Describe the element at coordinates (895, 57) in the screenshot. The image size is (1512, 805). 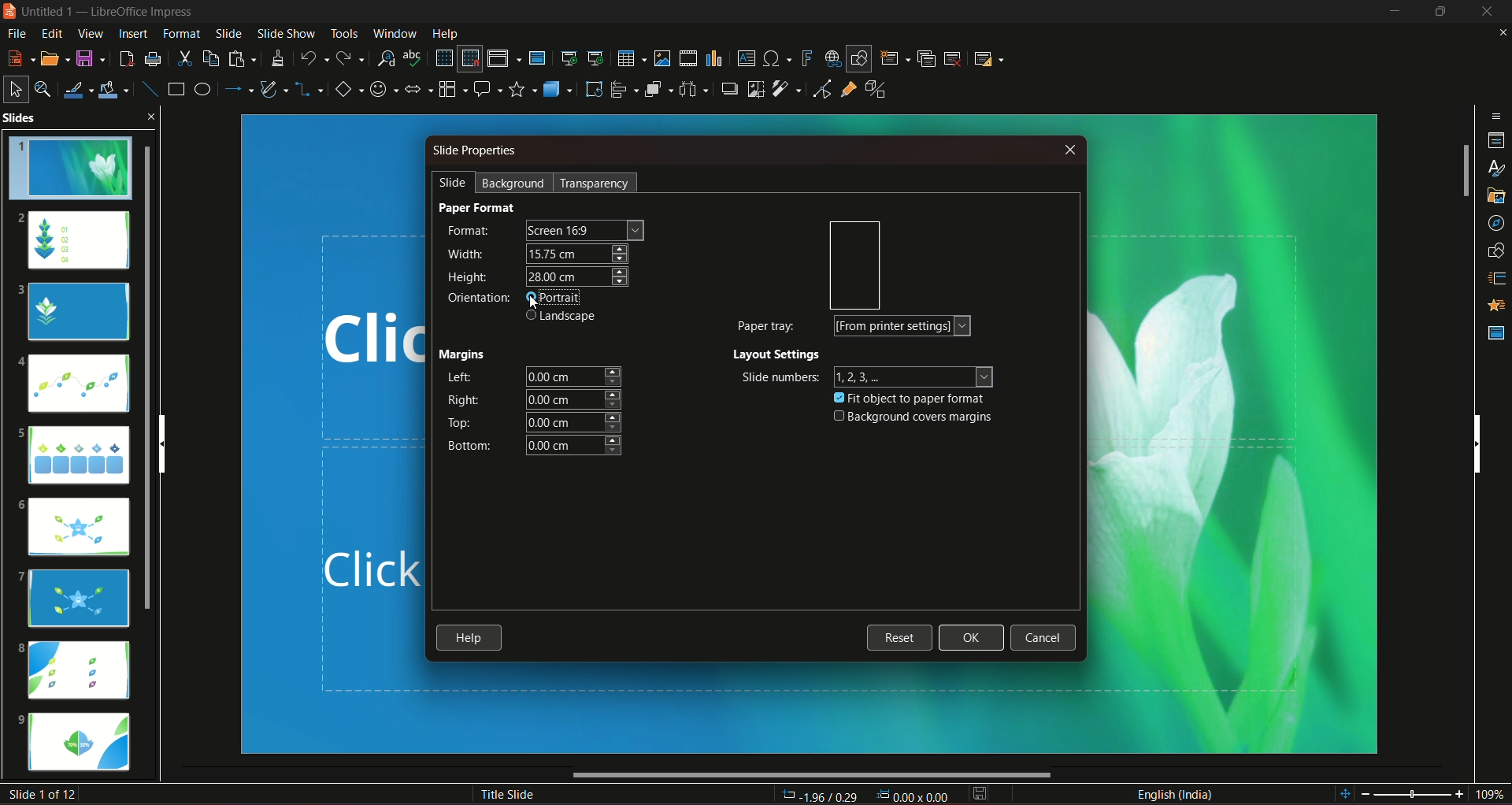
I see `new slide` at that location.